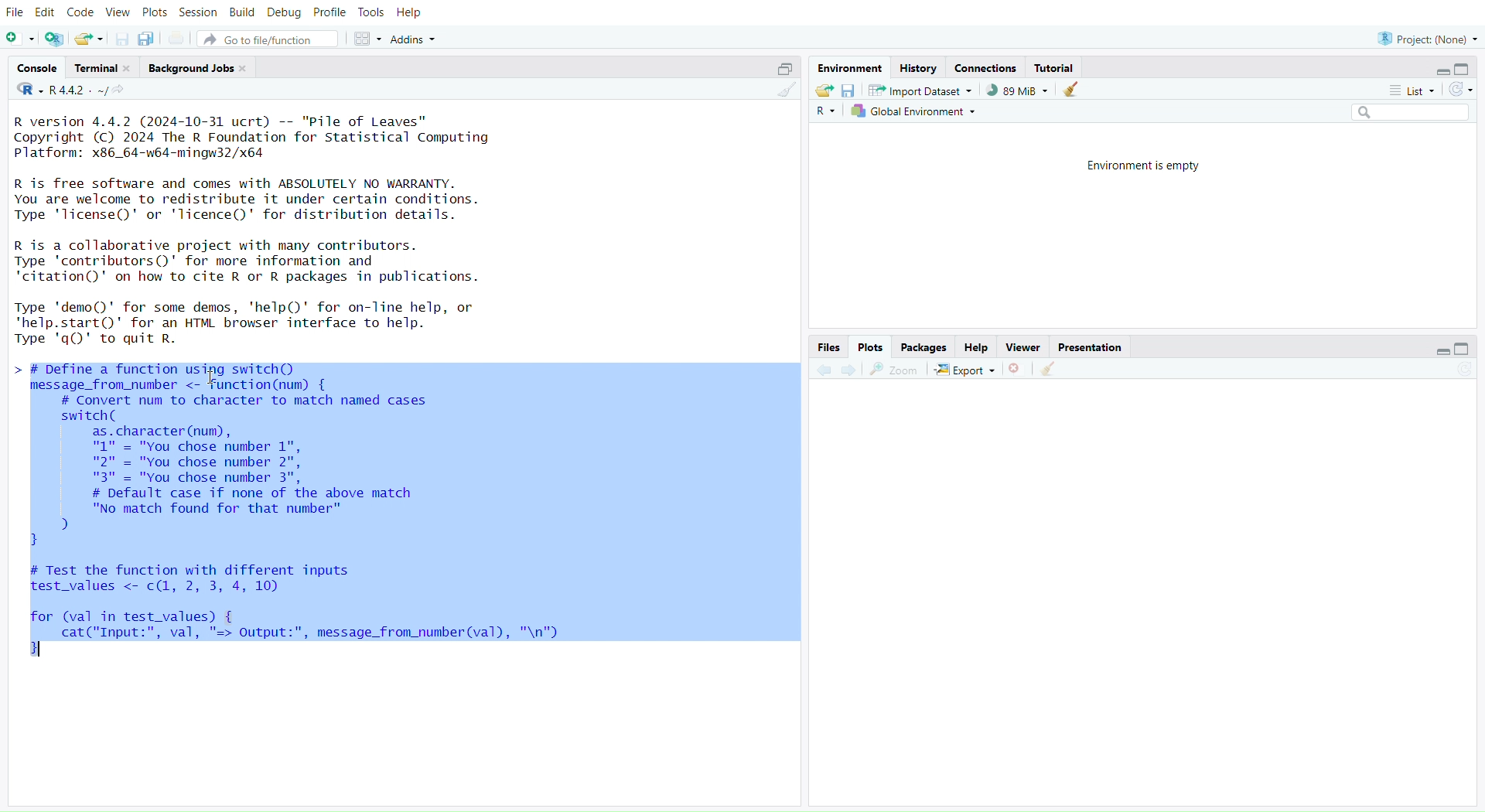  I want to click on Maximize, so click(1465, 350).